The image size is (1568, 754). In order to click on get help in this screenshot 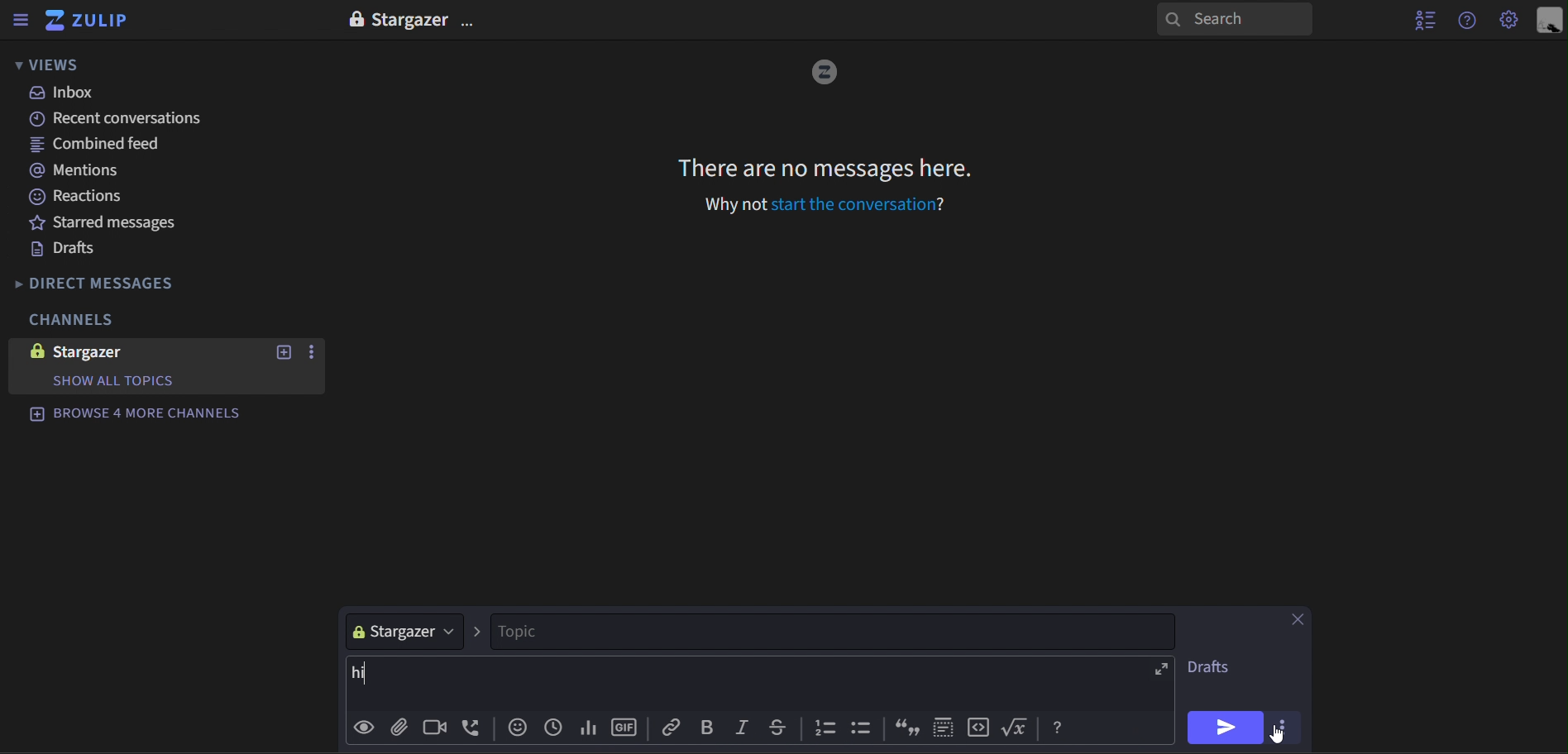, I will do `click(1469, 21)`.